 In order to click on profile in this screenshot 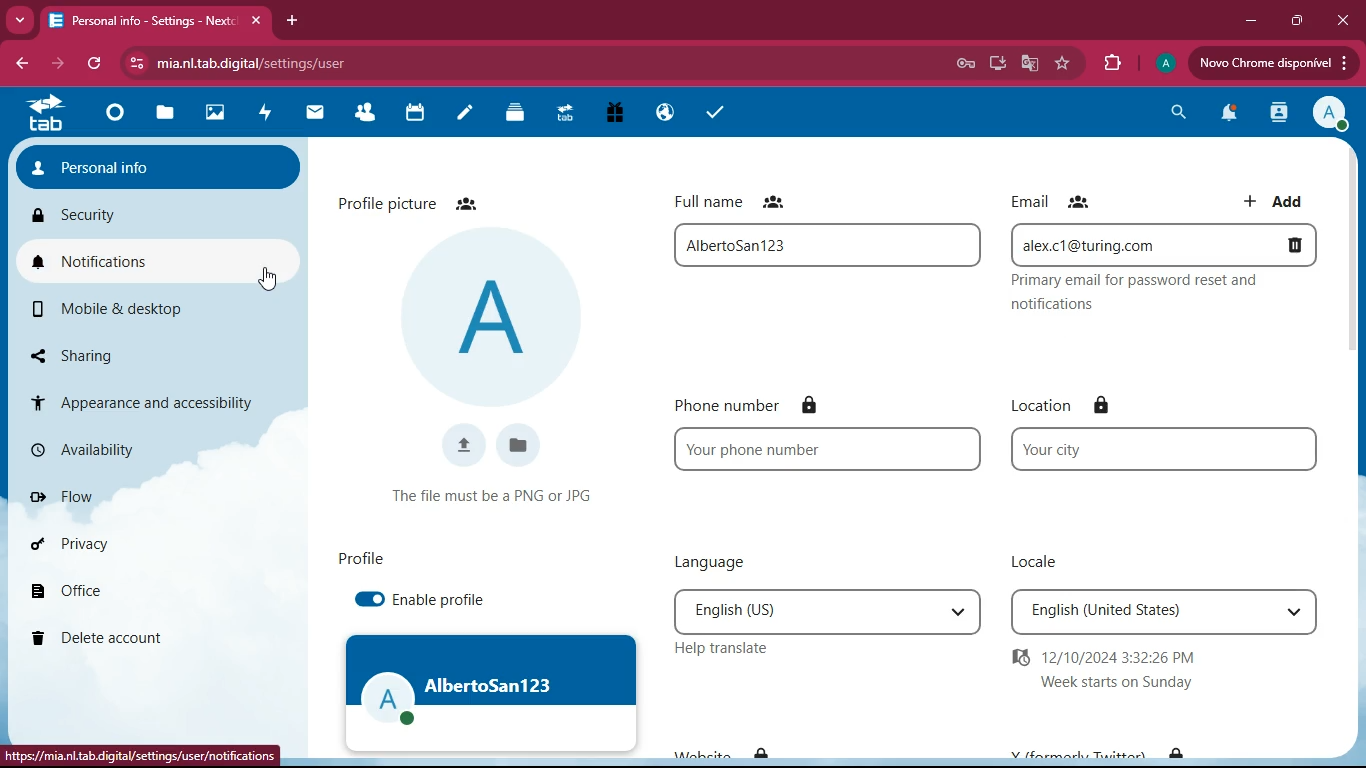, I will do `click(495, 693)`.